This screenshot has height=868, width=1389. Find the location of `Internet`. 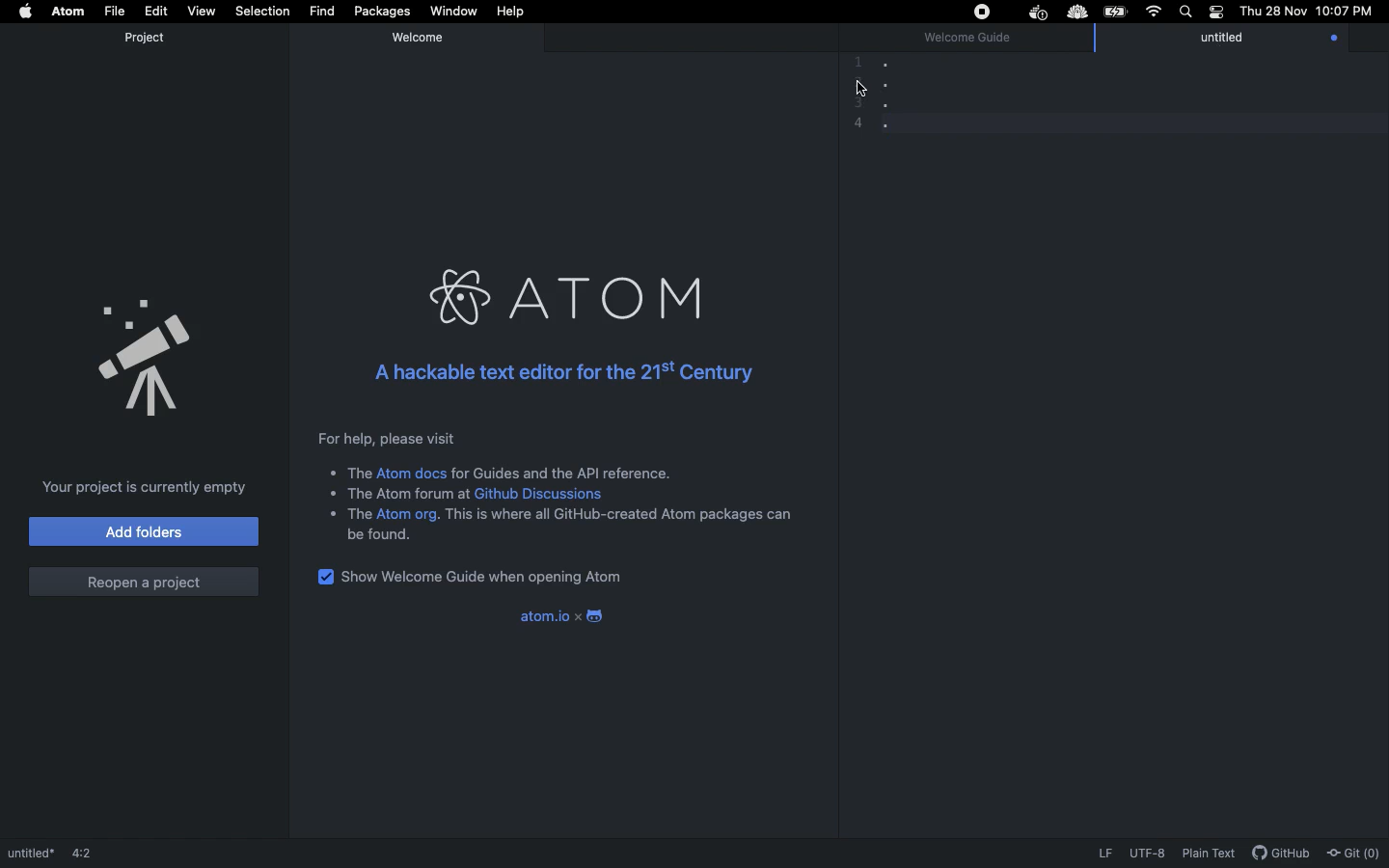

Internet is located at coordinates (1151, 14).